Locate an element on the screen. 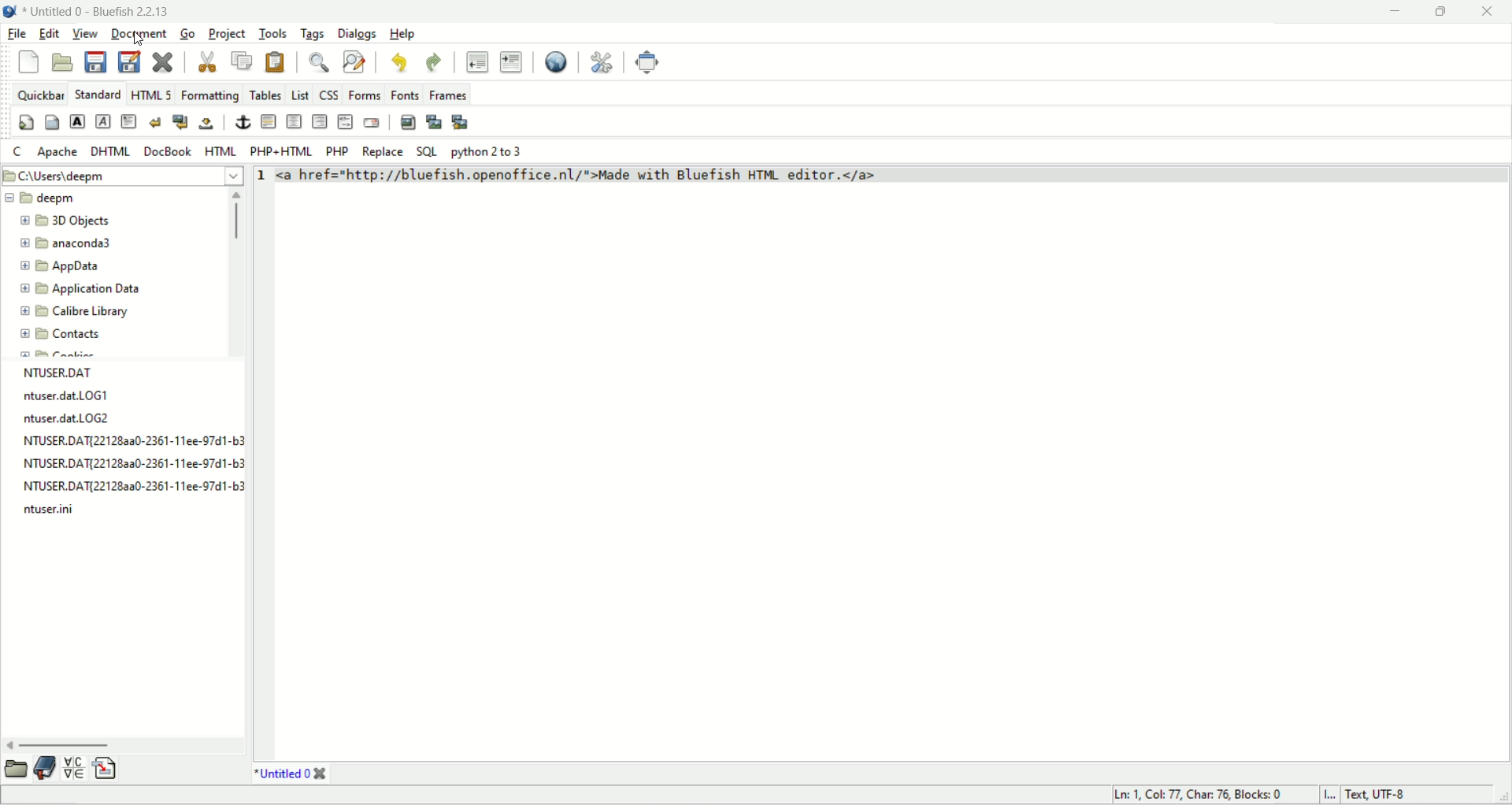 This screenshot has height=805, width=1512. project is located at coordinates (228, 33).